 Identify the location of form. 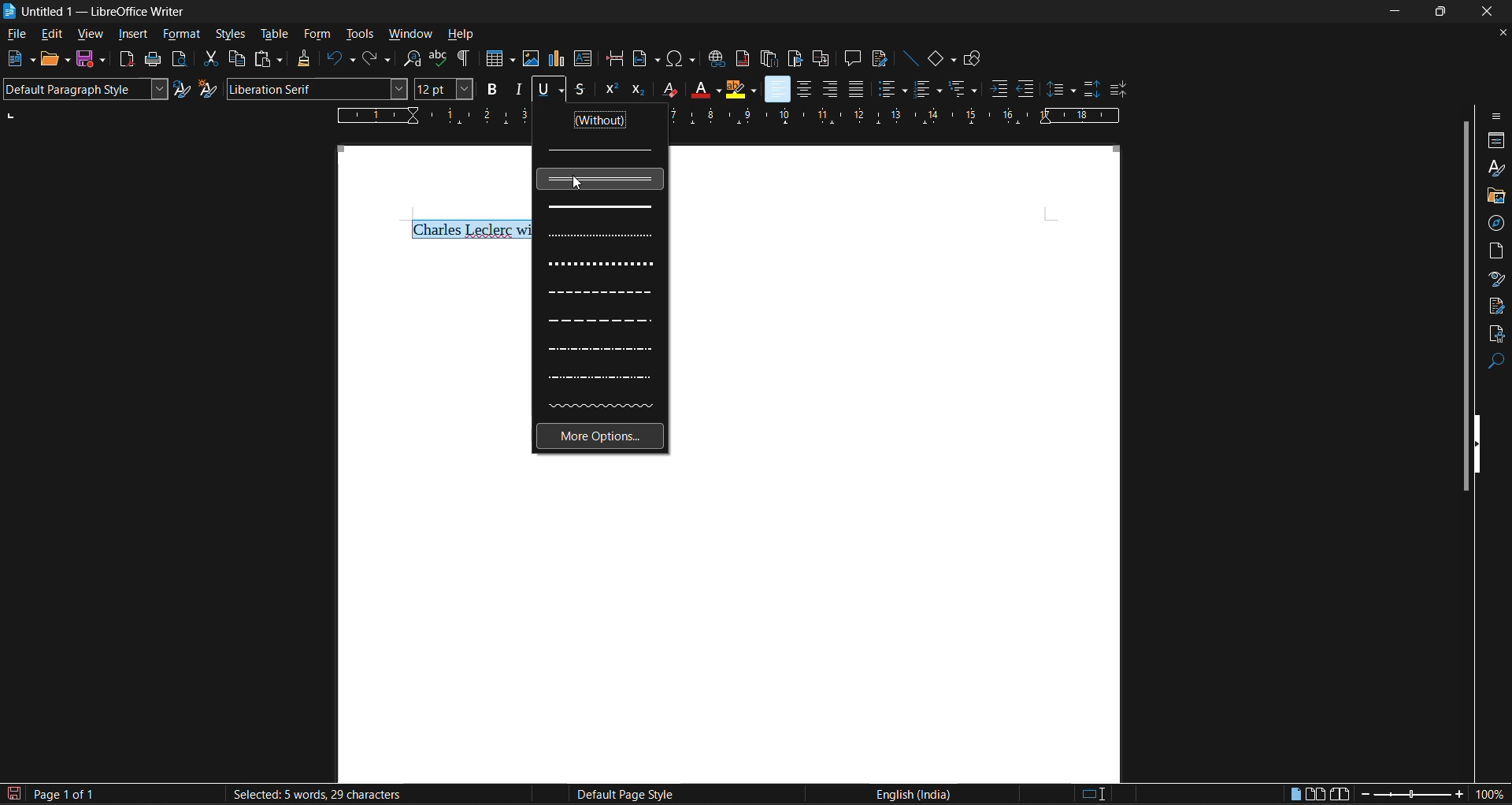
(319, 35).